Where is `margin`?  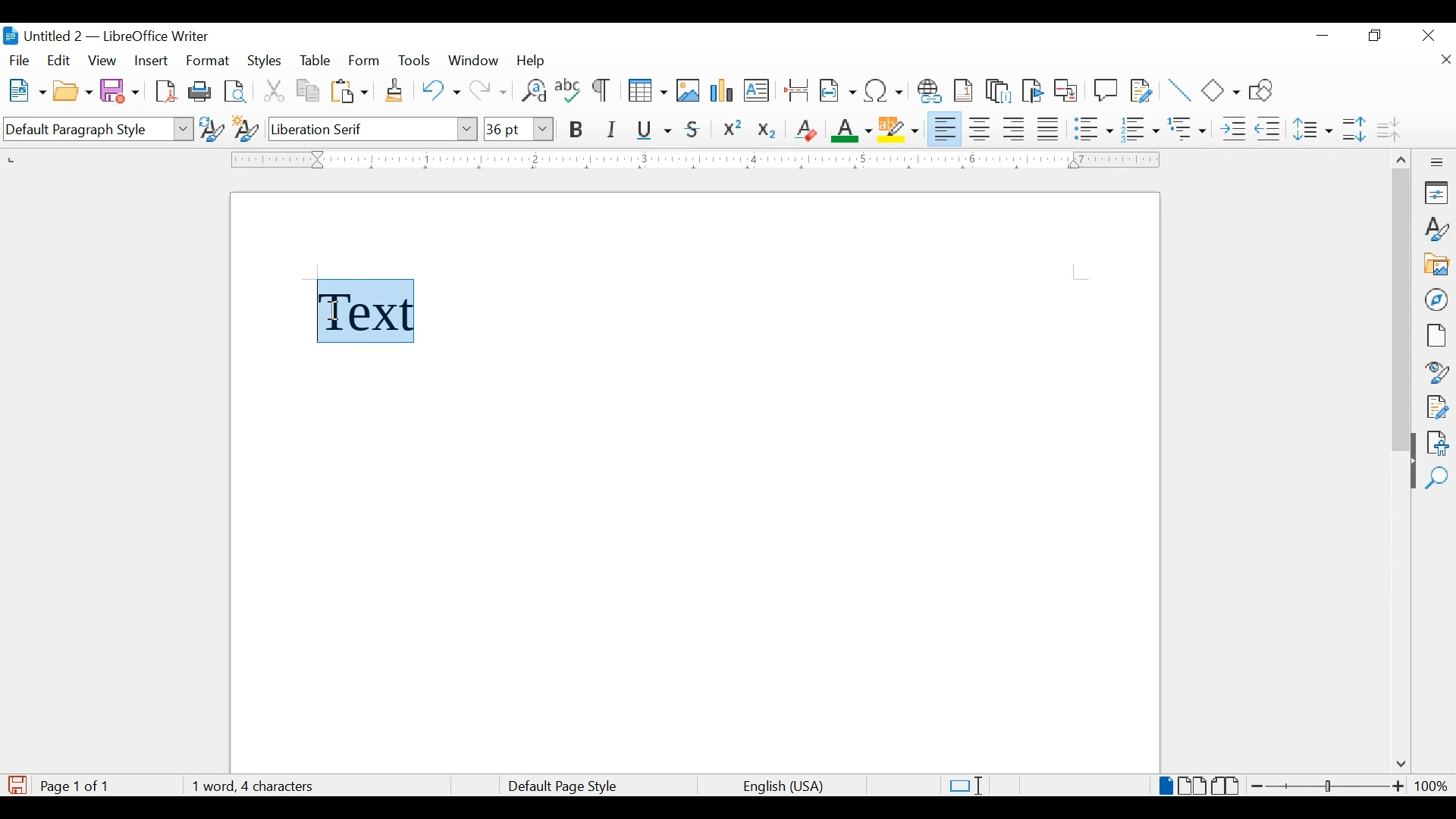
margin is located at coordinates (692, 159).